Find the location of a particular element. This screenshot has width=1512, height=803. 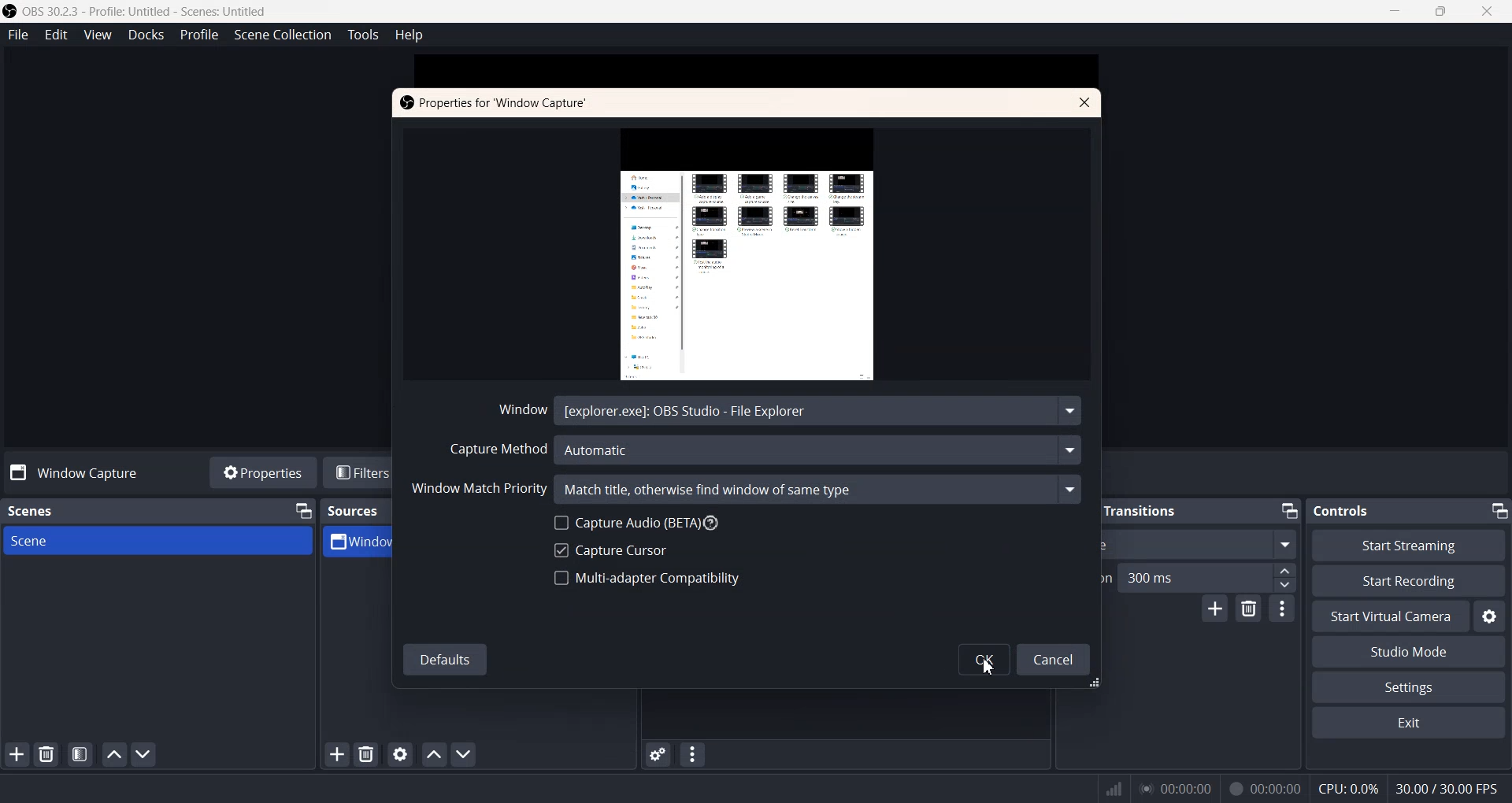

Minimize is located at coordinates (1398, 12).